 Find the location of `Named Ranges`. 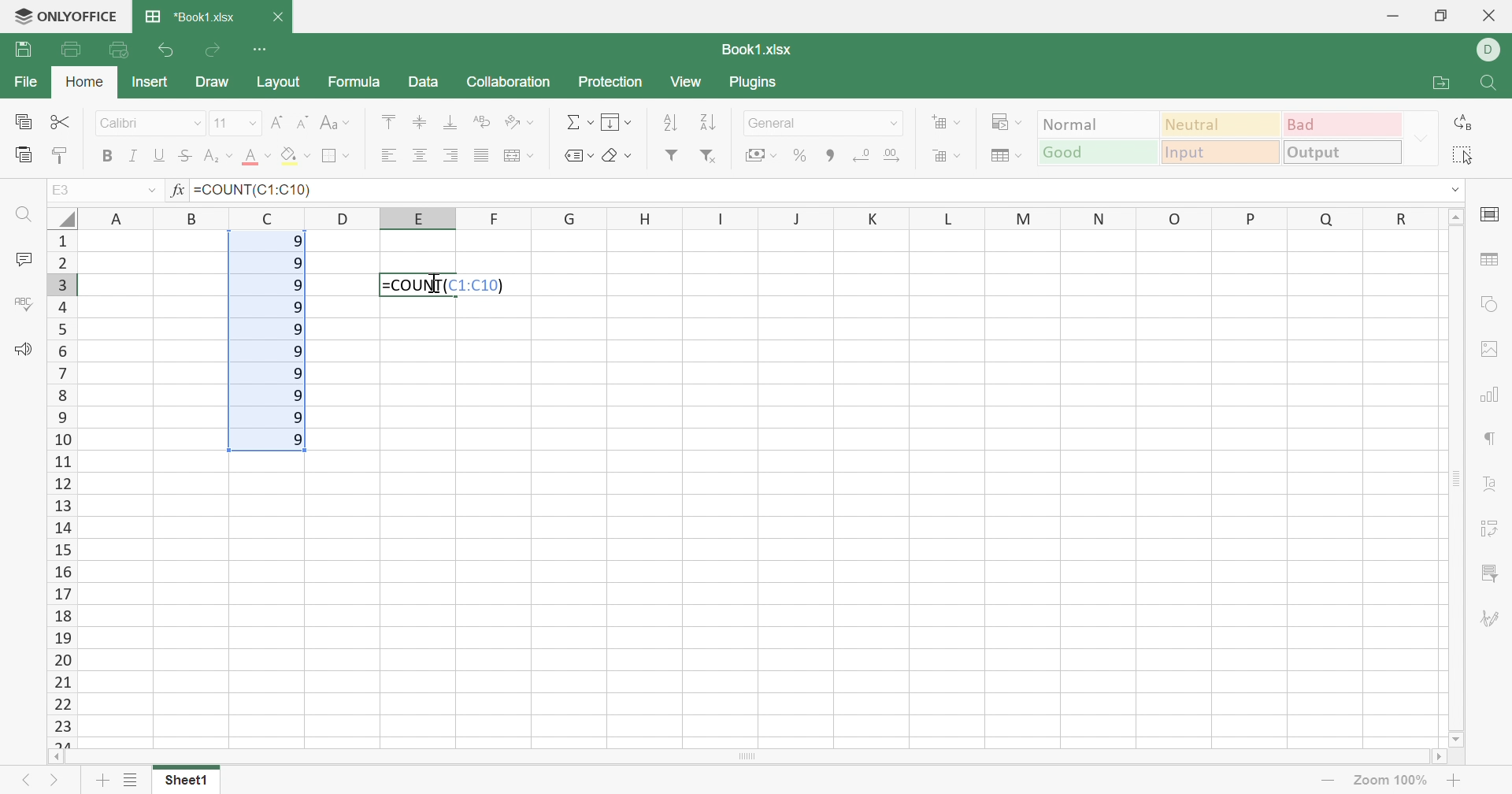

Named Ranges is located at coordinates (575, 157).